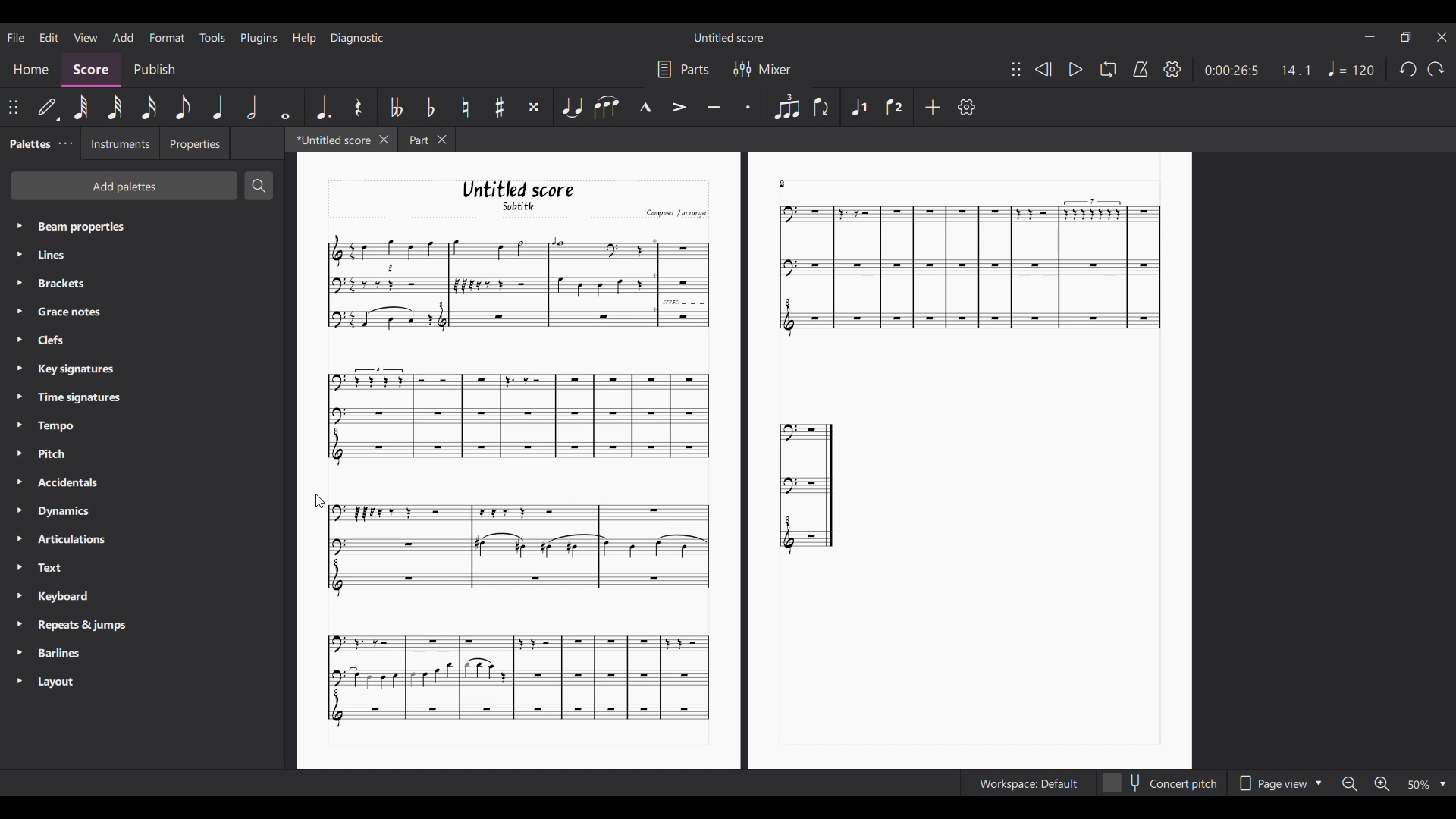 The image size is (1456, 819). What do you see at coordinates (1352, 68) in the screenshot?
I see `Tempo` at bounding box center [1352, 68].